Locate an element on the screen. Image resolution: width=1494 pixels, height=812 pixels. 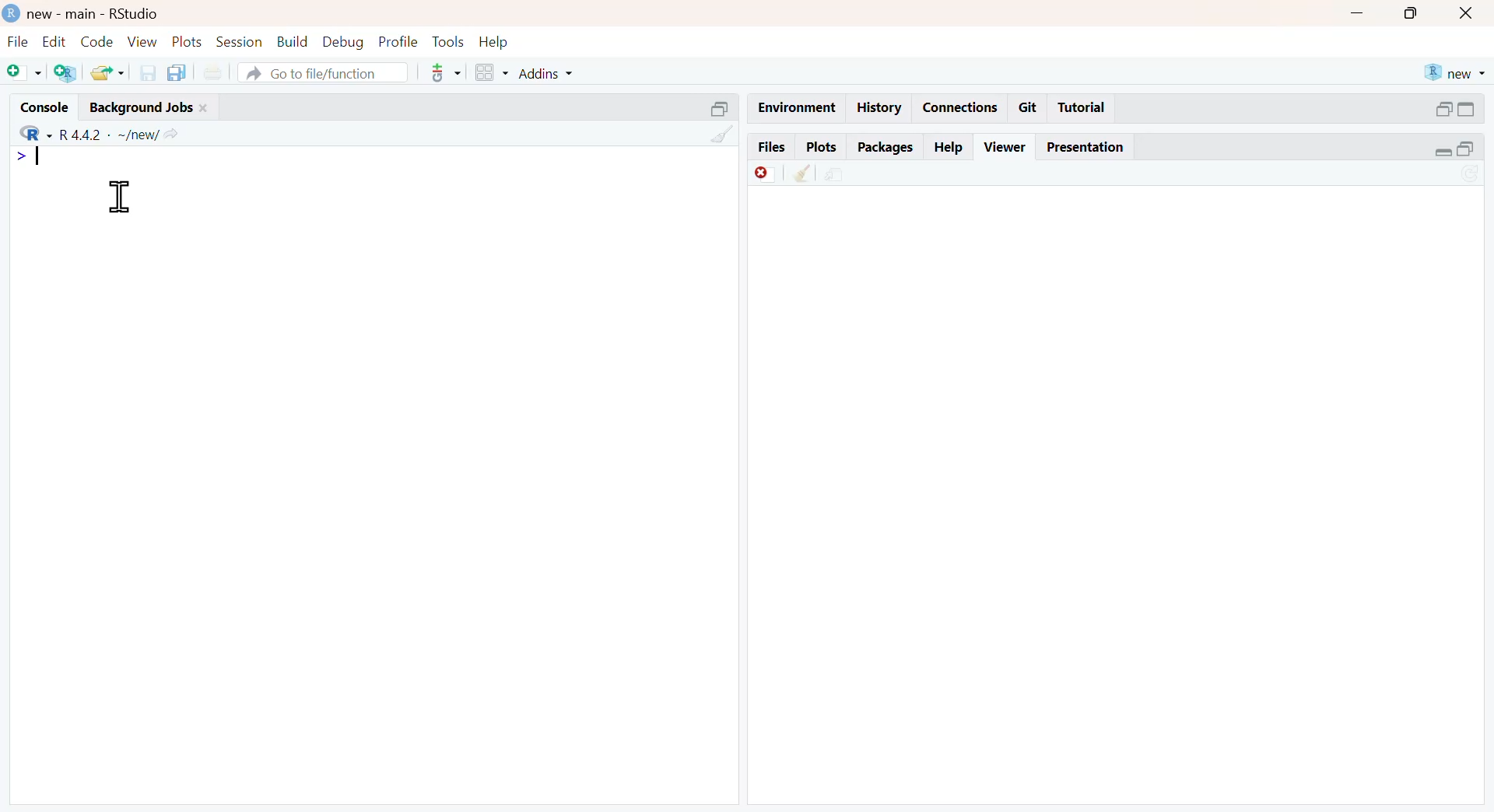
plots is located at coordinates (187, 41).